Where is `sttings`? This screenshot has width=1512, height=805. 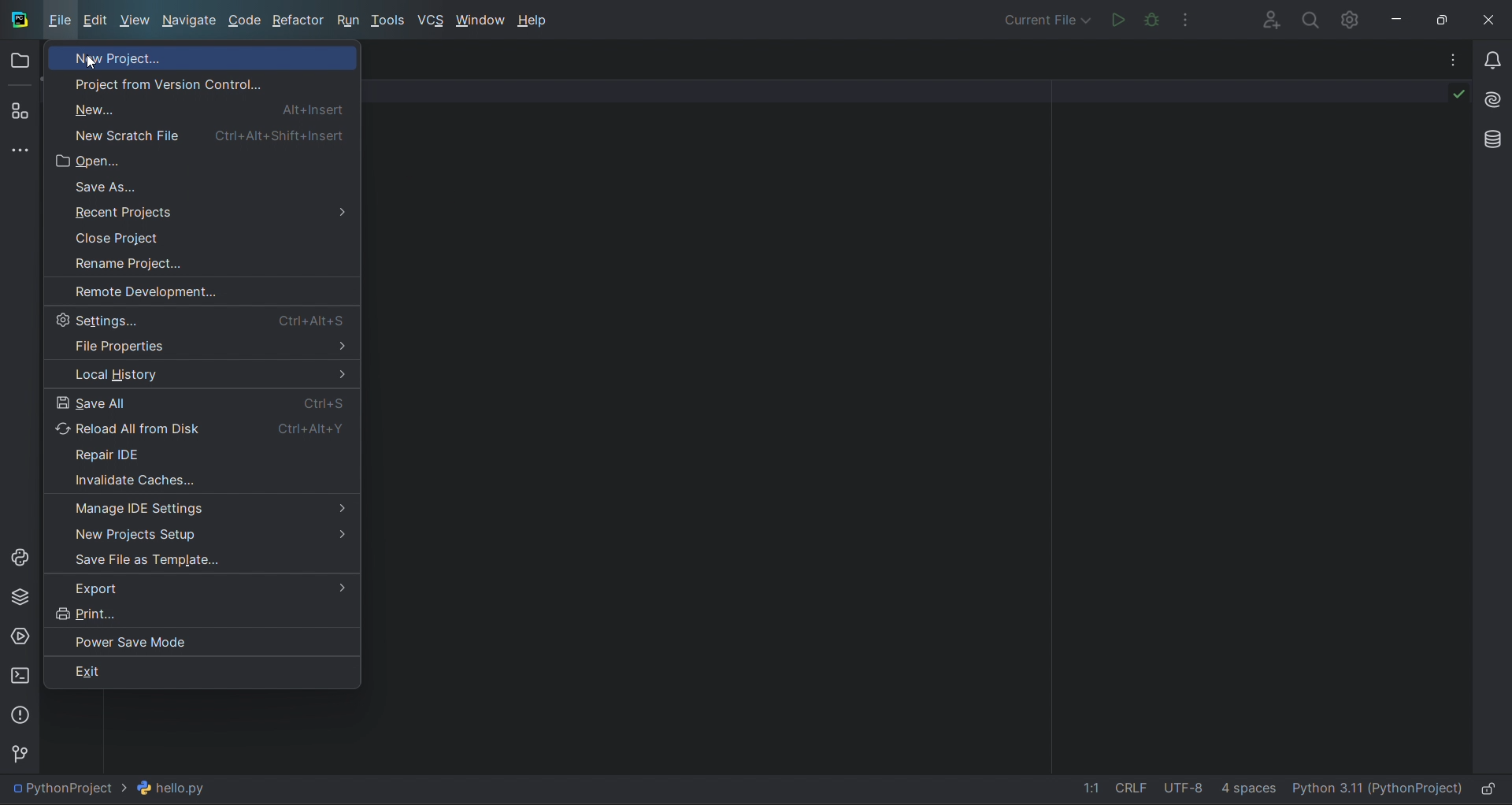
sttings is located at coordinates (1354, 19).